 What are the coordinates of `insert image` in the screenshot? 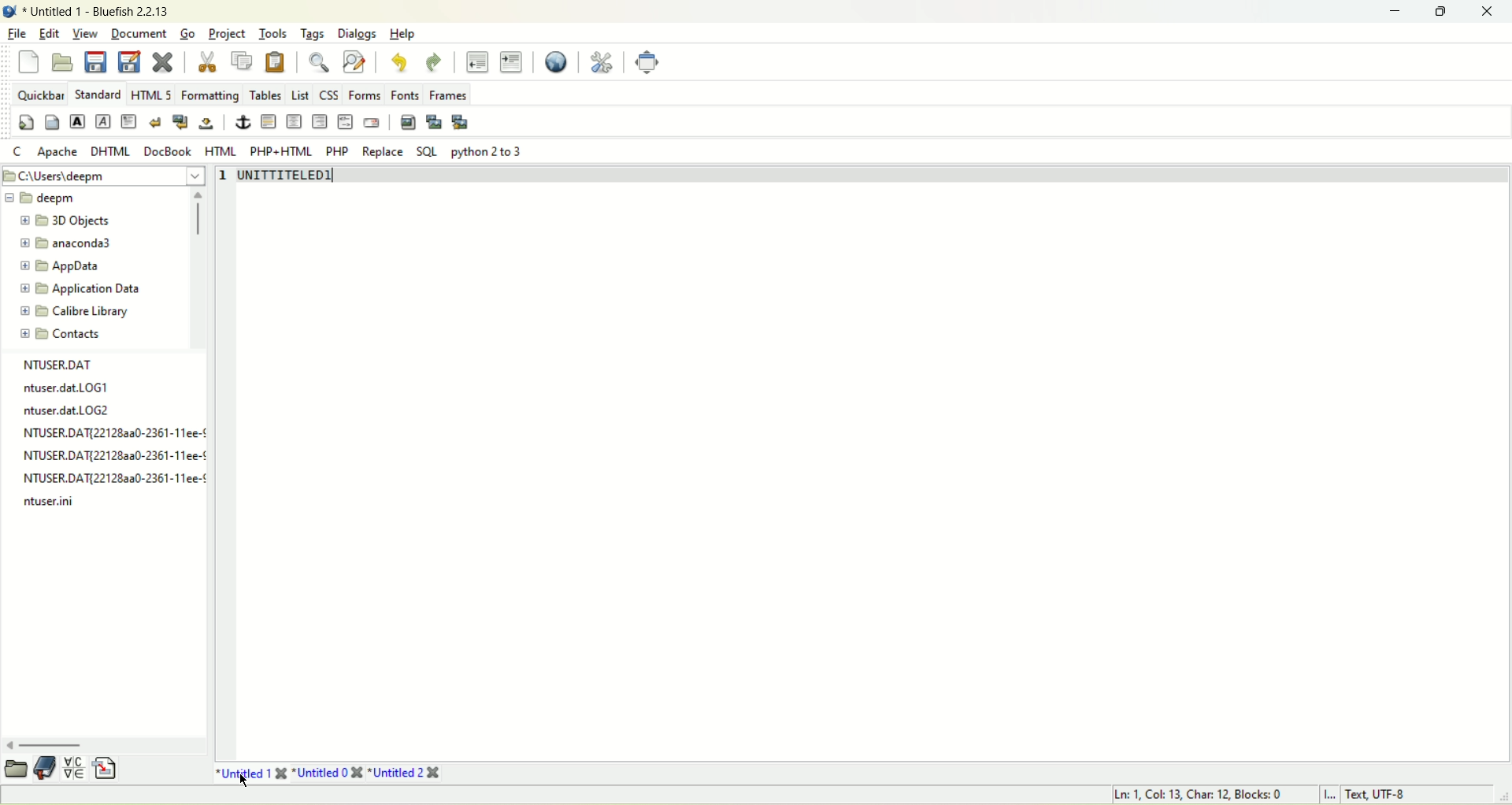 It's located at (406, 123).